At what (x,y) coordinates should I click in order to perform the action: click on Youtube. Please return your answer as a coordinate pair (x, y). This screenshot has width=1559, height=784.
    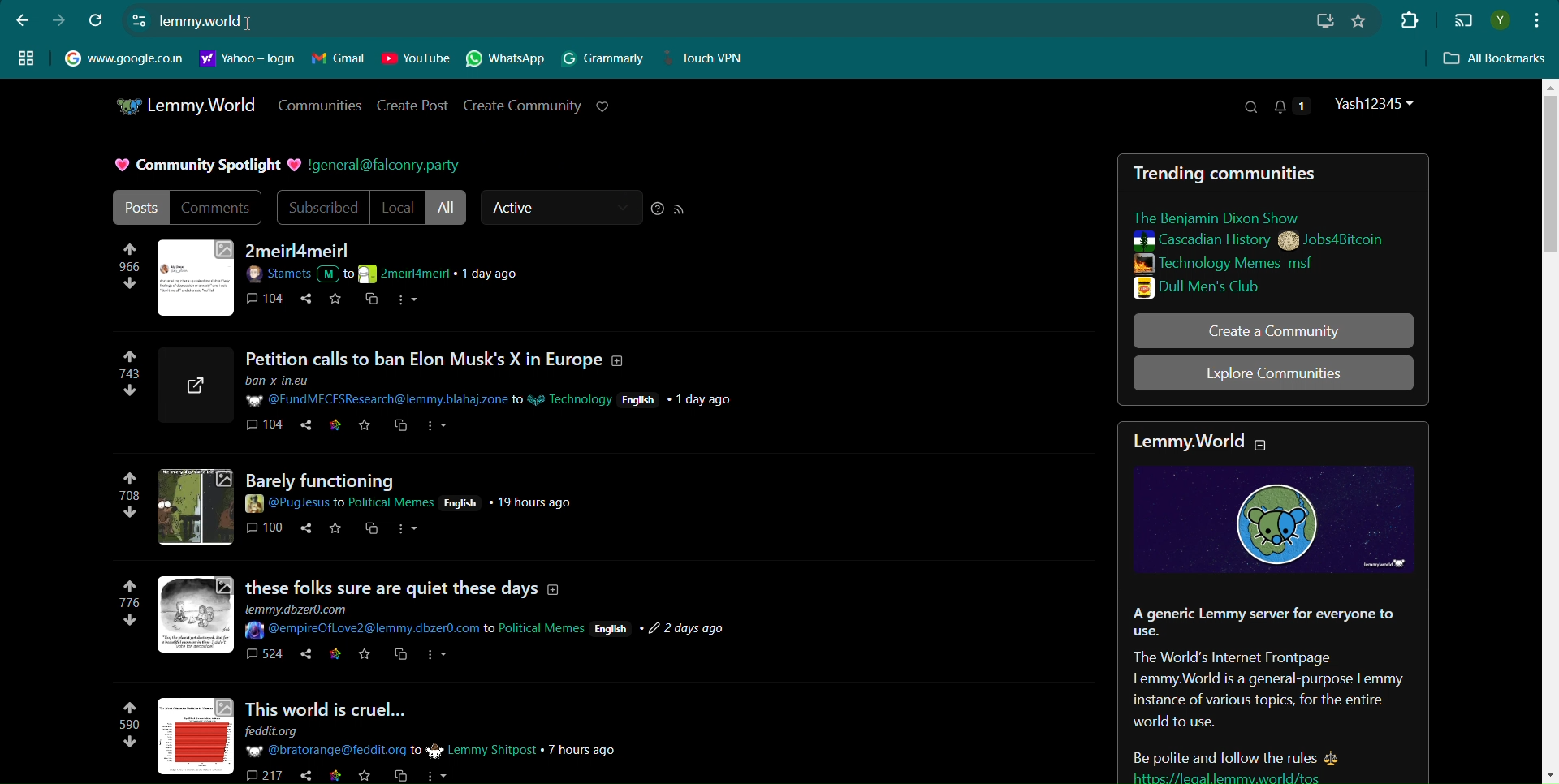
    Looking at the image, I should click on (416, 58).